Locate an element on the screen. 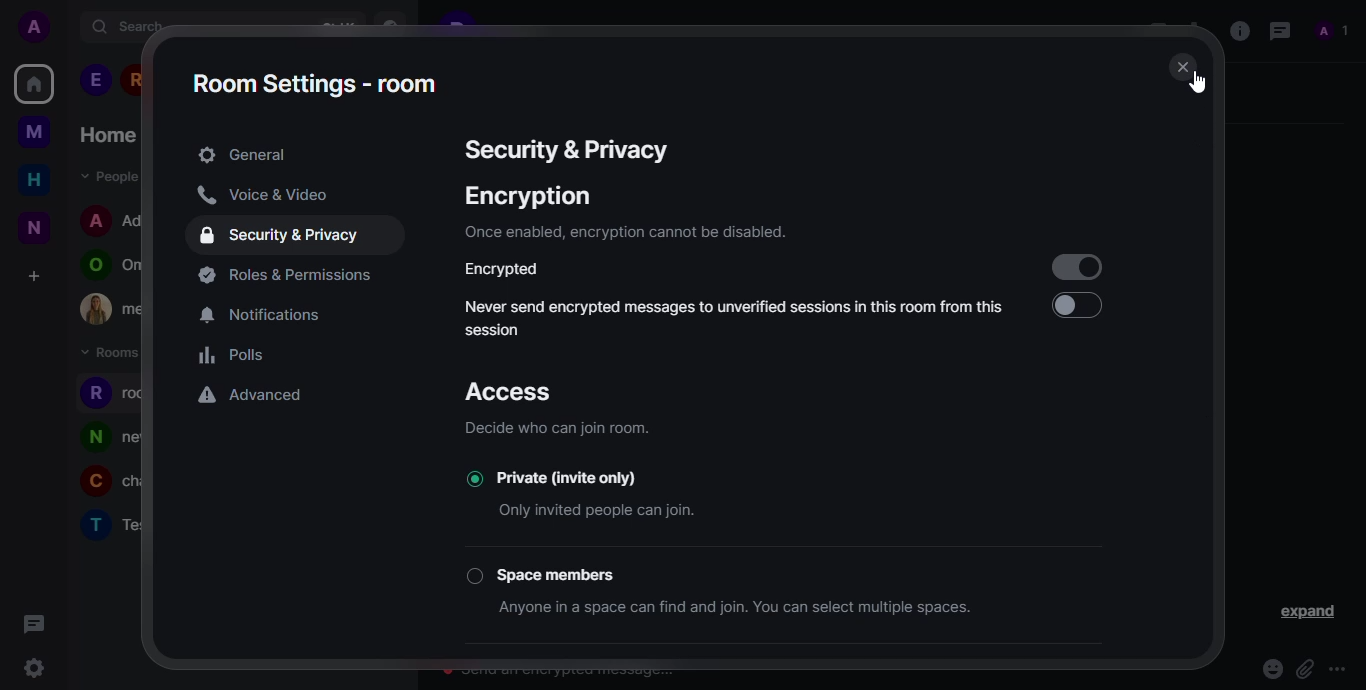  info is located at coordinates (623, 232).